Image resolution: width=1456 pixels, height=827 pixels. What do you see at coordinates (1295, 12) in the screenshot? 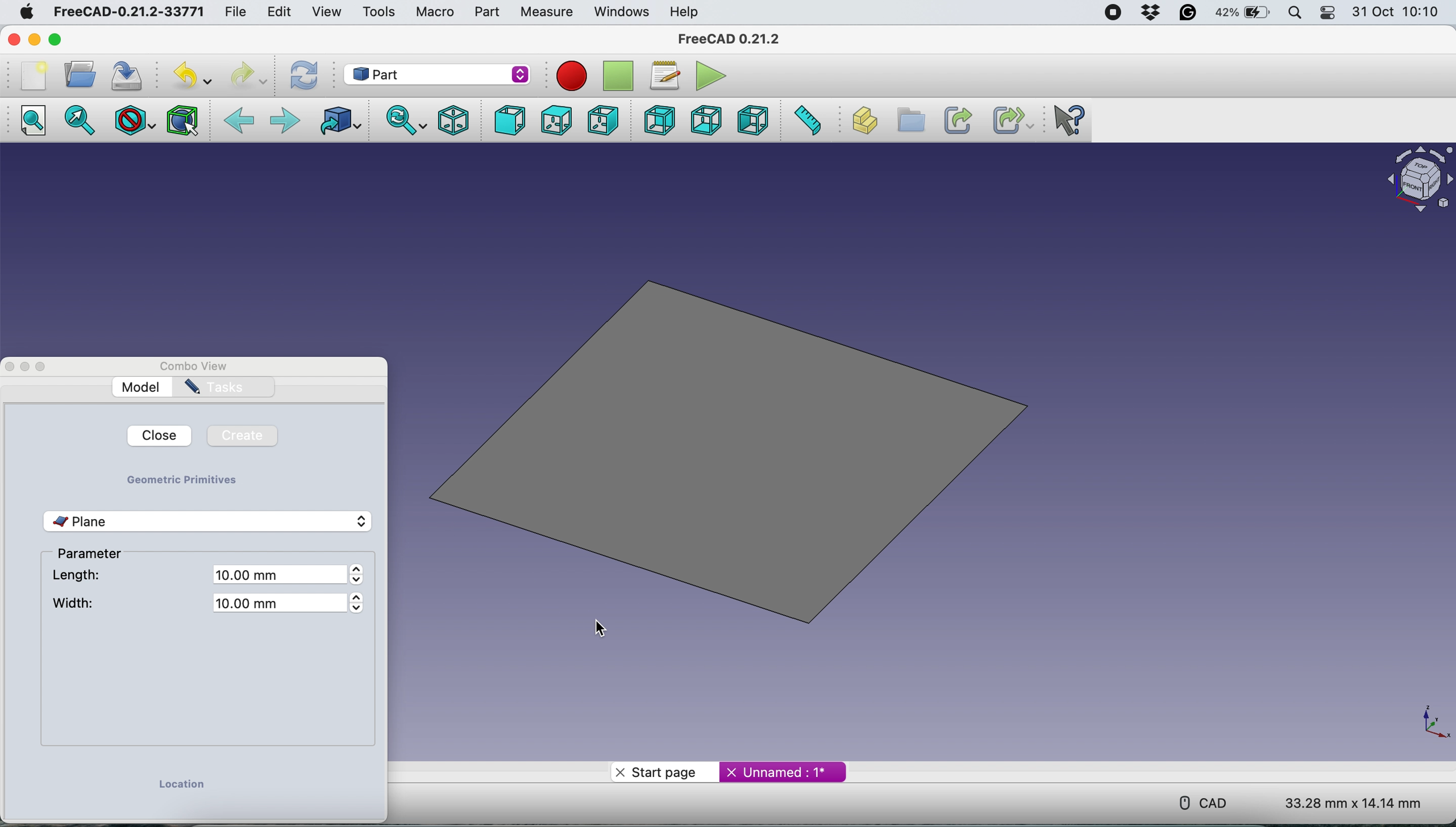
I see `Spotlight Search` at bounding box center [1295, 12].